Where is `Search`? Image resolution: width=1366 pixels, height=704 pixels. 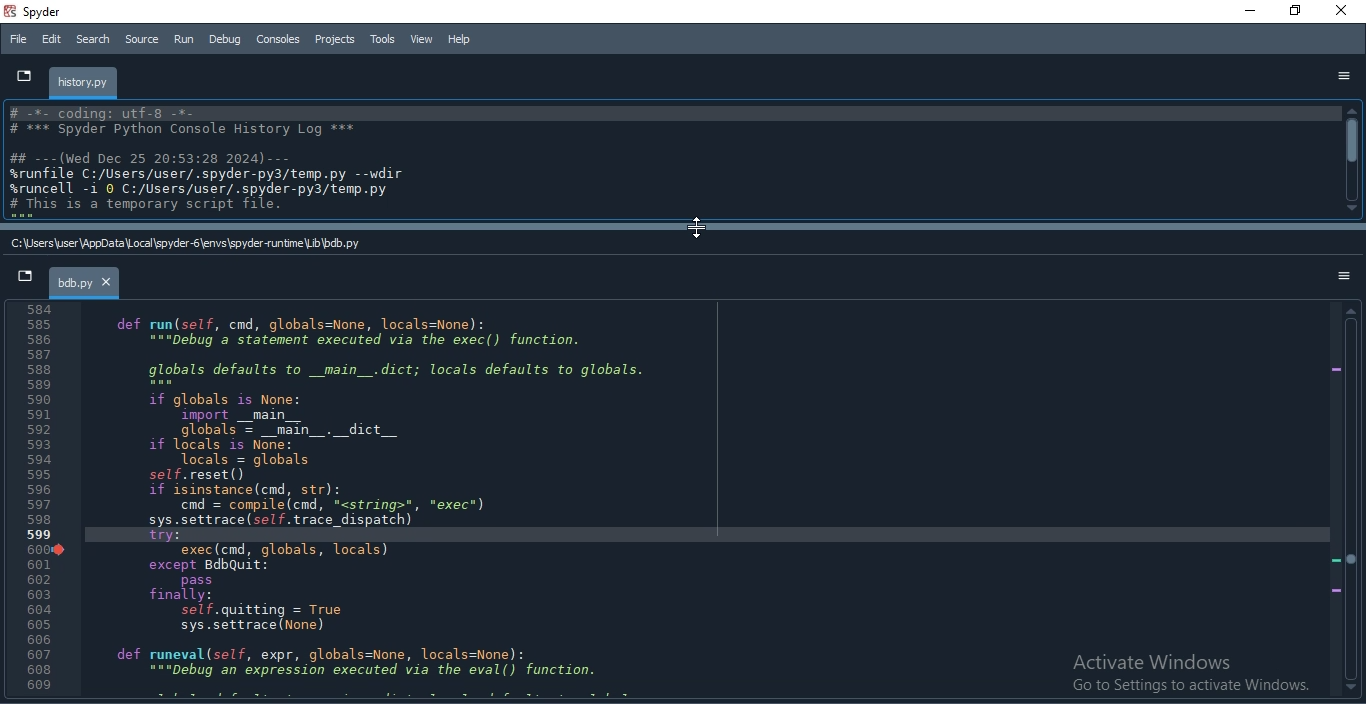 Search is located at coordinates (92, 40).